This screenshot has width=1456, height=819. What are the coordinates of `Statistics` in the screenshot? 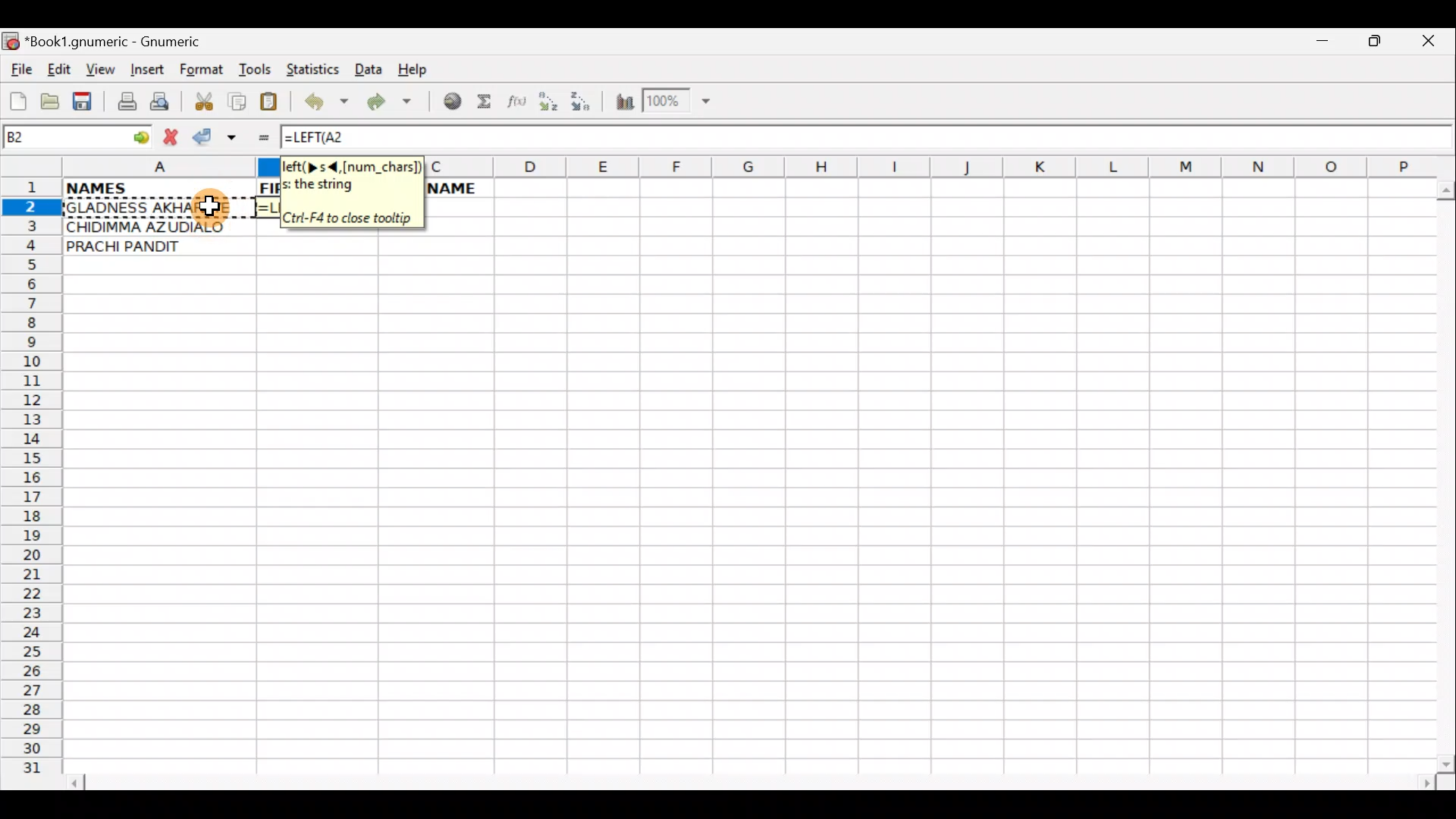 It's located at (317, 68).